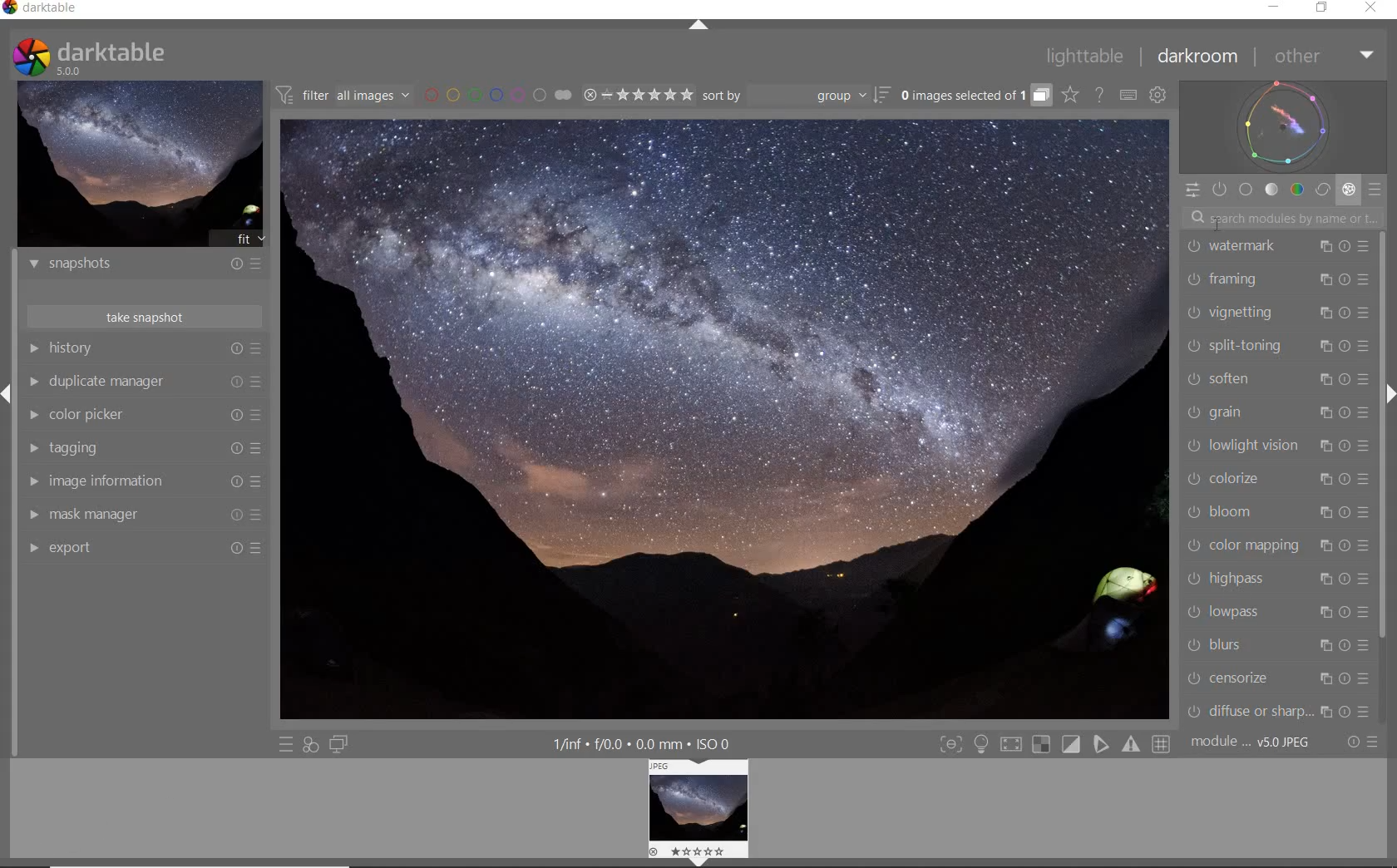 The width and height of the screenshot is (1397, 868). Describe the element at coordinates (1246, 711) in the screenshot. I see `DIFFUSE & SHARPEN` at that location.